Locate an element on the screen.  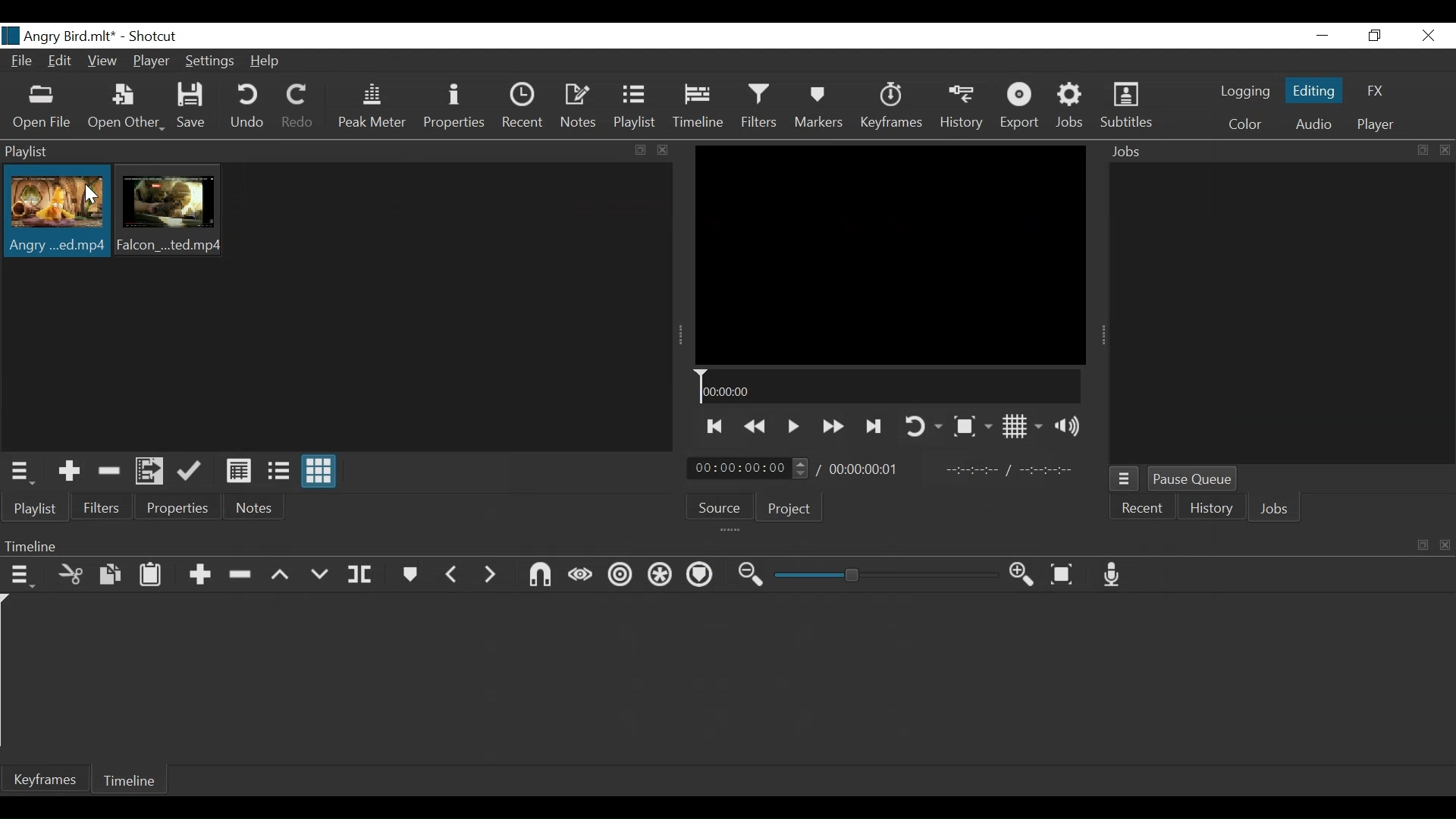
minimize is located at coordinates (1325, 35).